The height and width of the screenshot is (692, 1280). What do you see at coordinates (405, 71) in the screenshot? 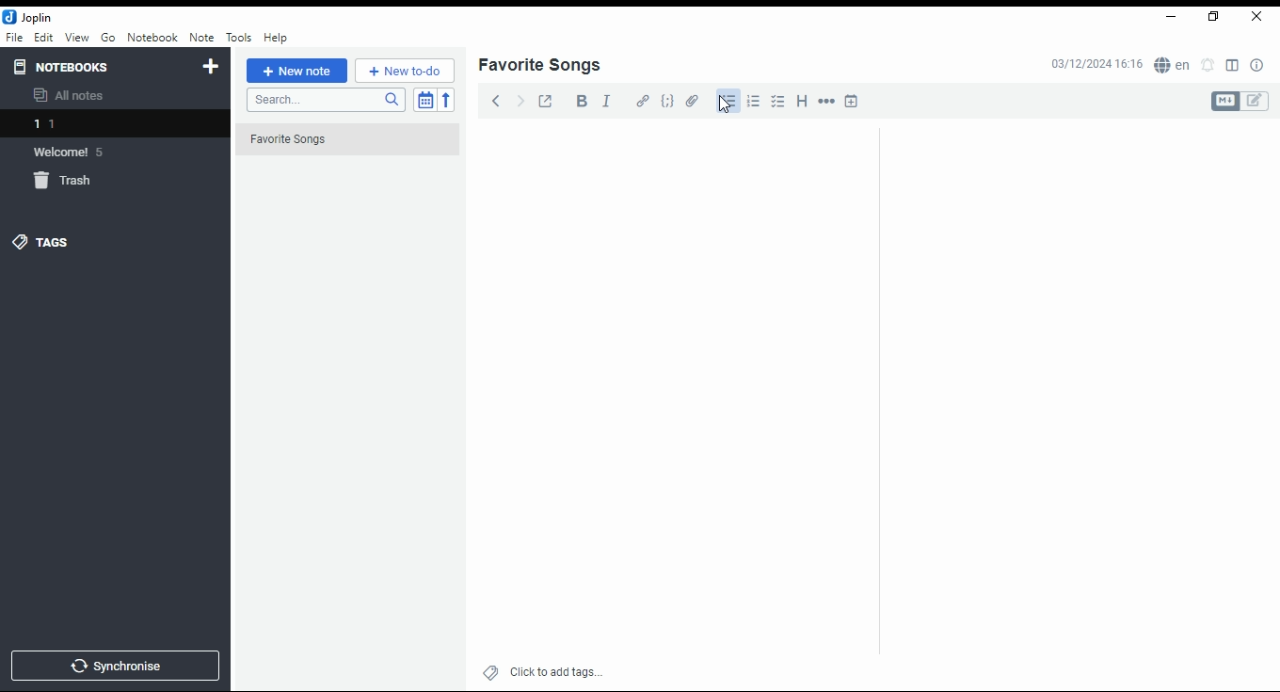
I see `New to-do` at bounding box center [405, 71].